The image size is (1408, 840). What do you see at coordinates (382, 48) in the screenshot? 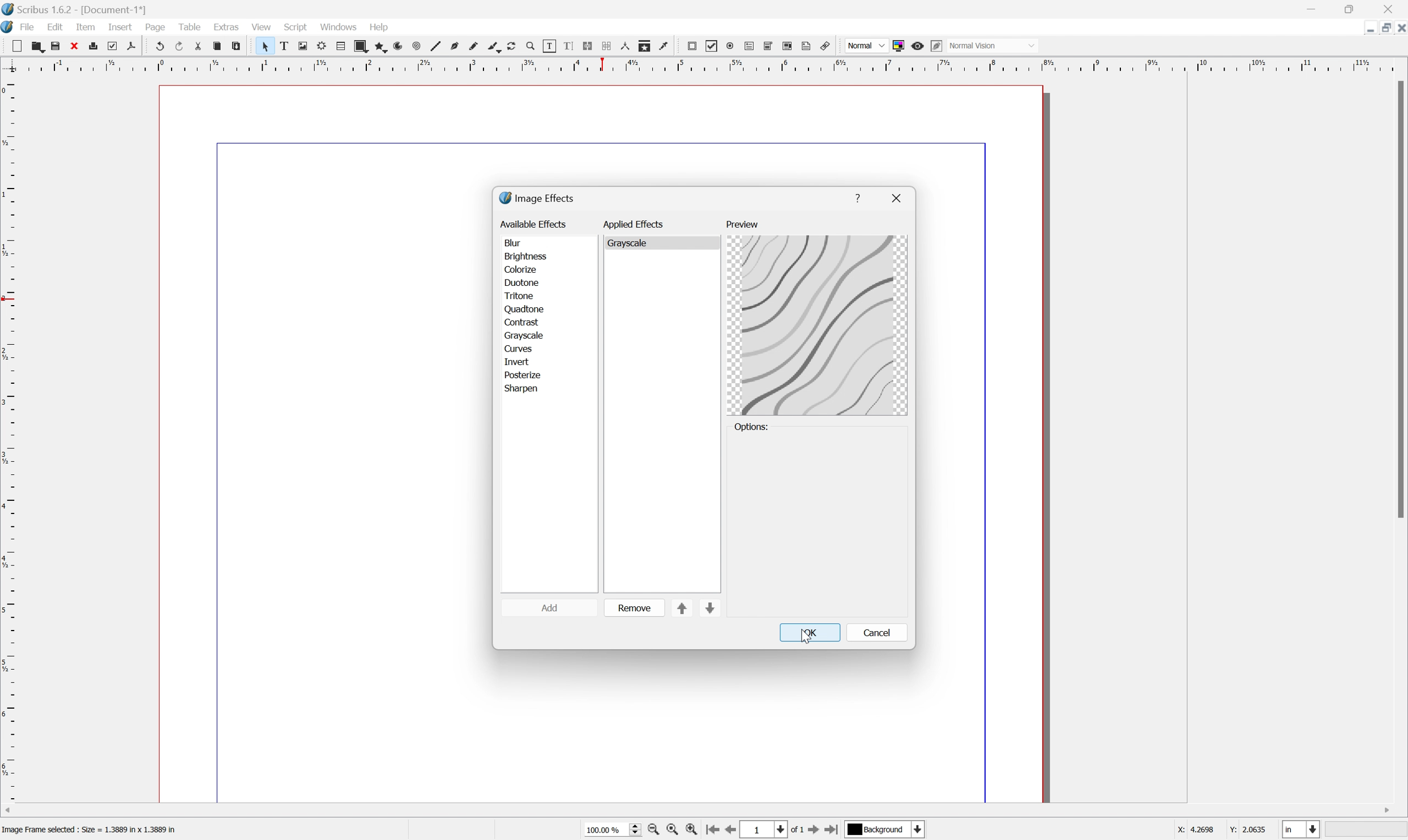
I see `Polygon` at bounding box center [382, 48].